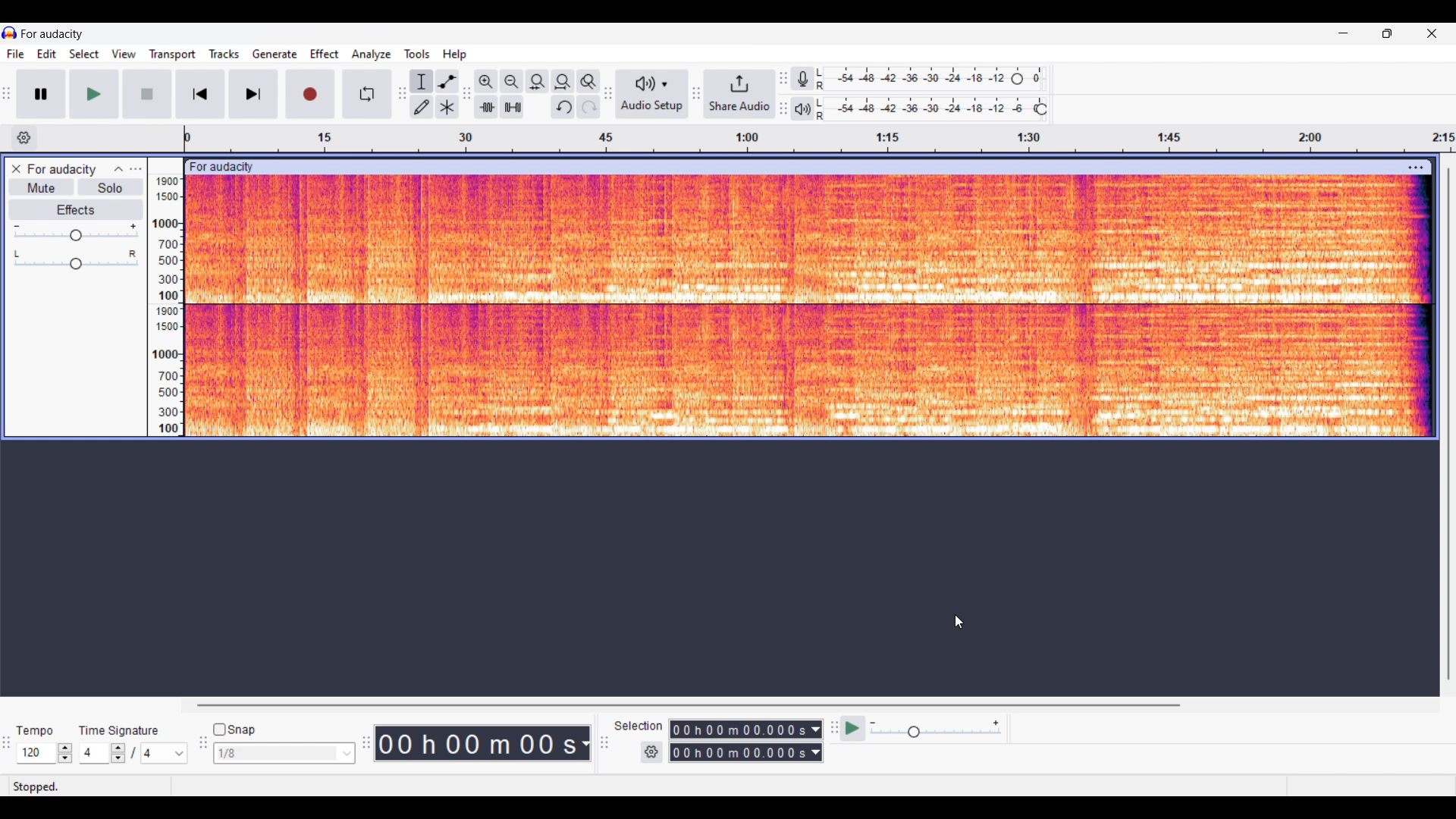 The image size is (1456, 819). Describe the element at coordinates (76, 260) in the screenshot. I see `Pan slider` at that location.